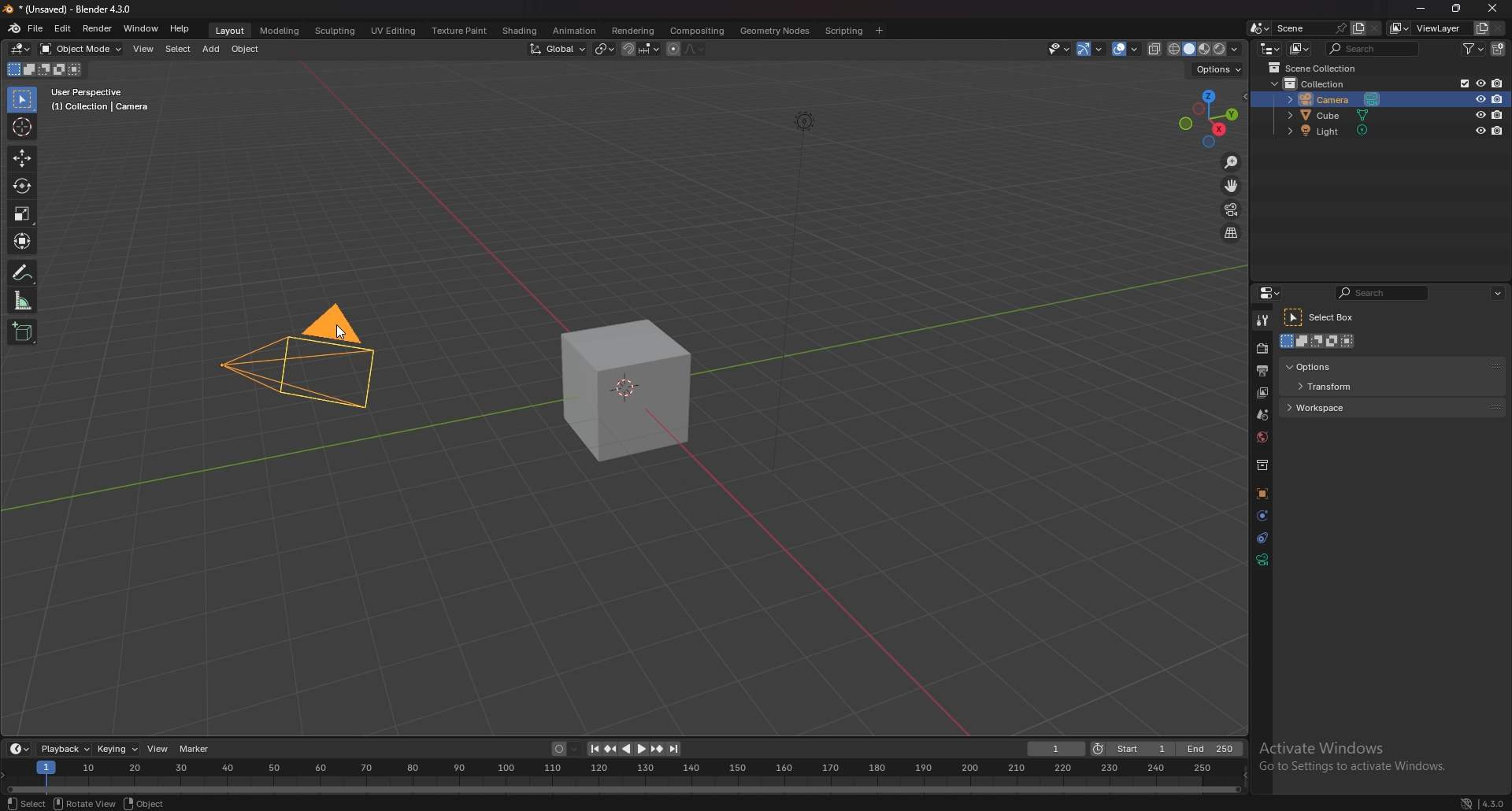 This screenshot has width=1512, height=811. I want to click on disable in renders, so click(1499, 83).